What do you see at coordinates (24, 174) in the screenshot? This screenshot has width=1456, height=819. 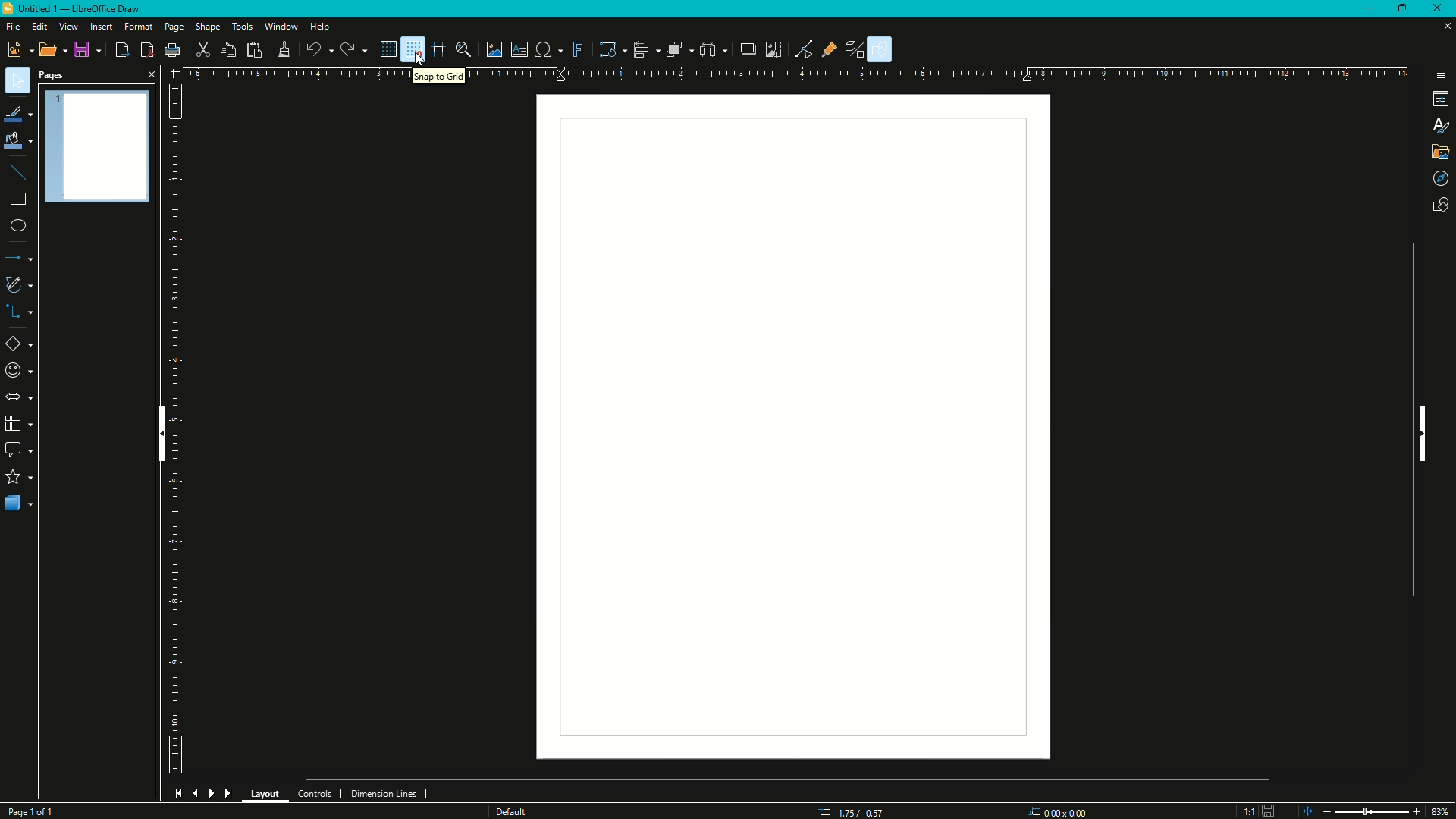 I see `Insert Line` at bounding box center [24, 174].